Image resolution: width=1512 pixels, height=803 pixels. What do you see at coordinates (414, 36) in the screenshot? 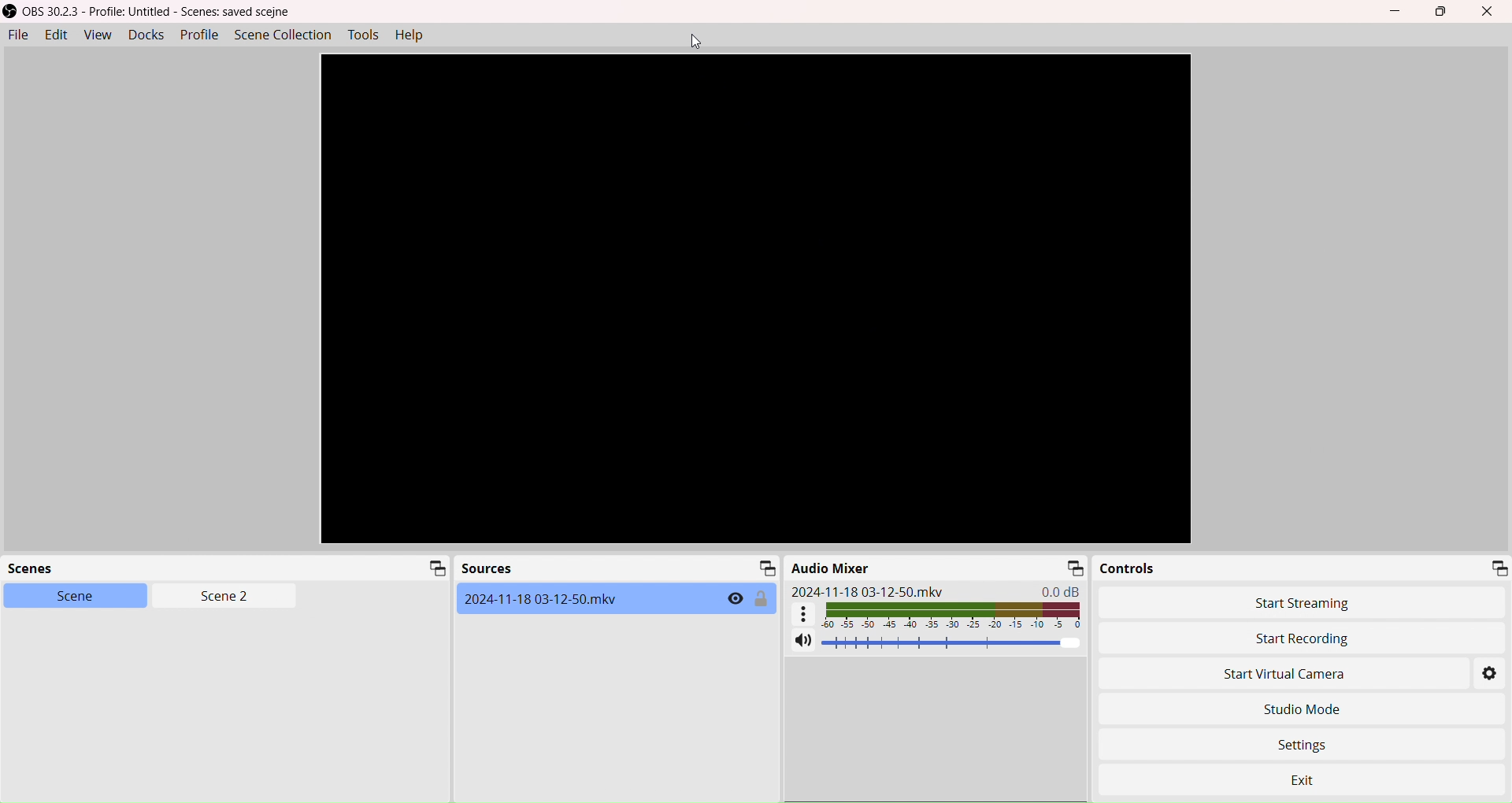
I see `Help` at bounding box center [414, 36].